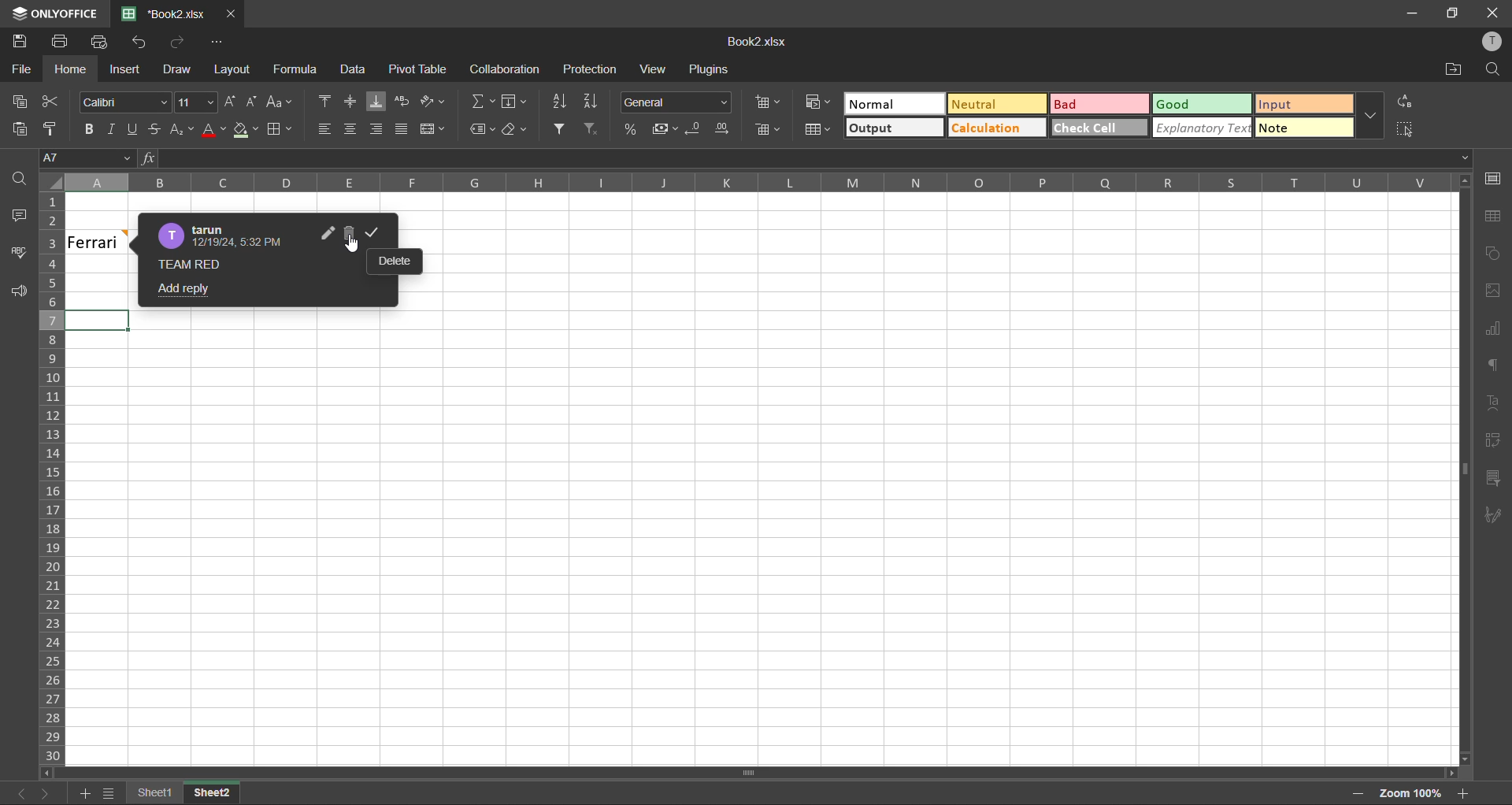  What do you see at coordinates (104, 45) in the screenshot?
I see `quick print` at bounding box center [104, 45].